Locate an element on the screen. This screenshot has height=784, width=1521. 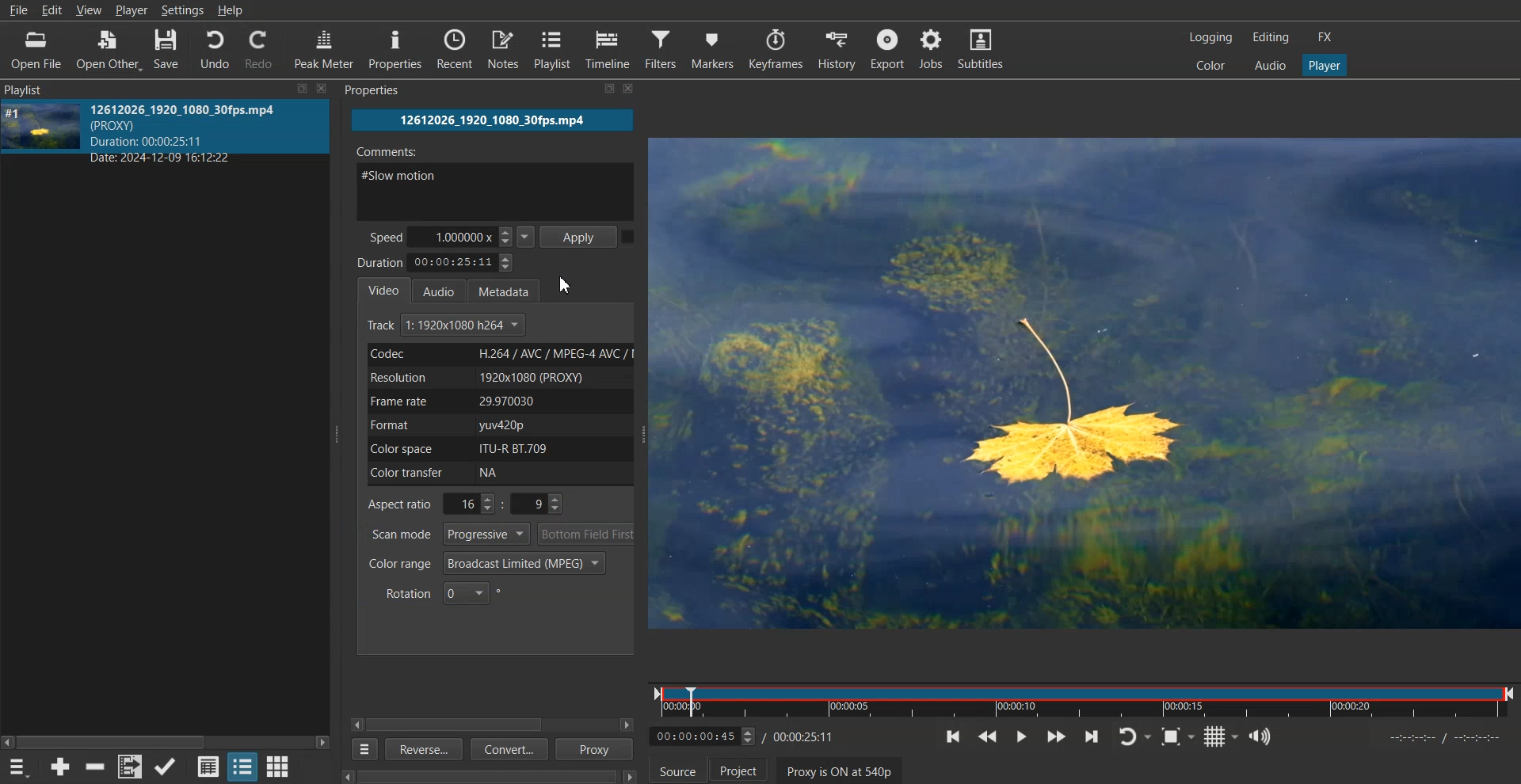
Scan Mode Progressive is located at coordinates (448, 534).